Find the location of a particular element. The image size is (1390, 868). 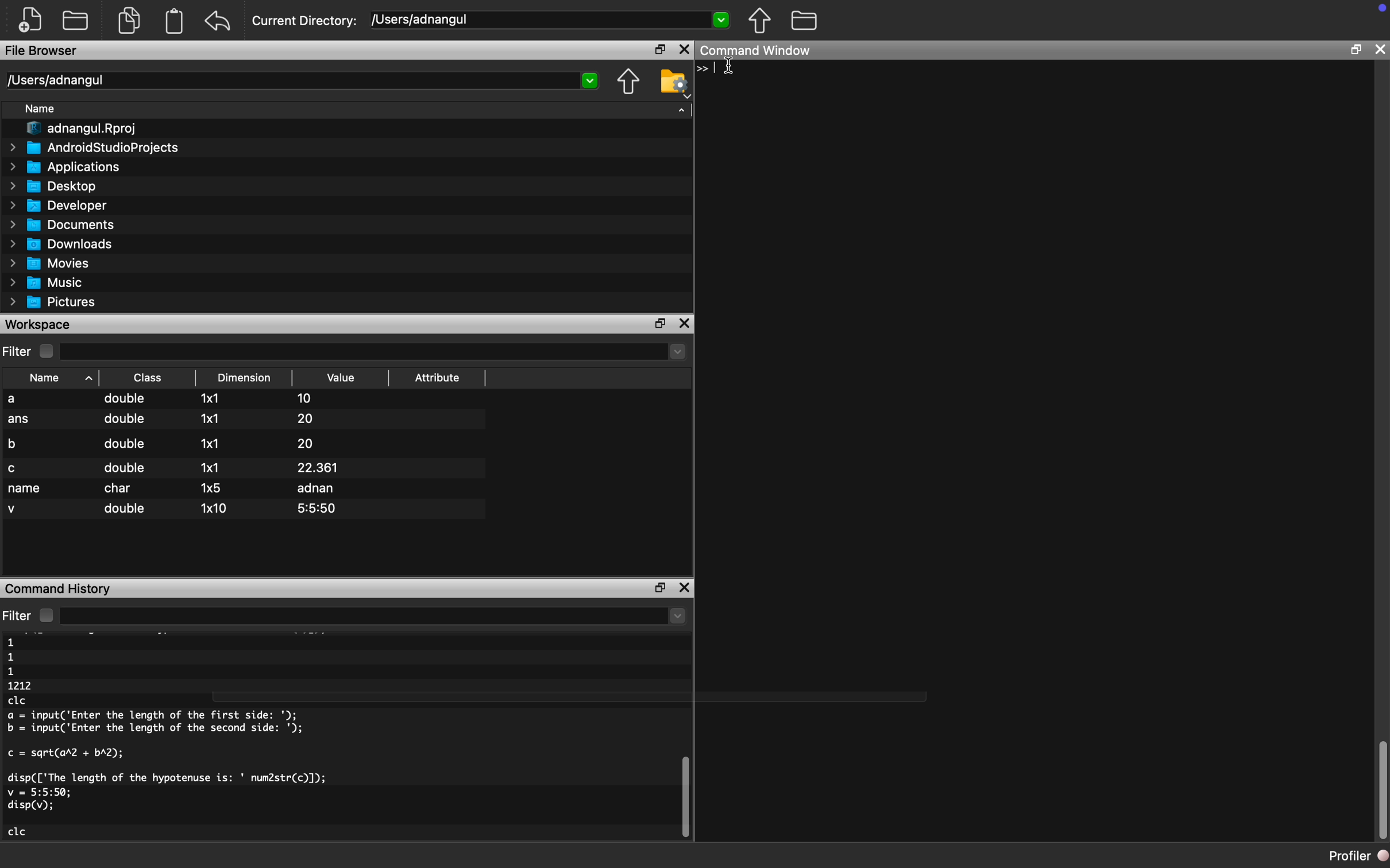

Developer is located at coordinates (54, 205).